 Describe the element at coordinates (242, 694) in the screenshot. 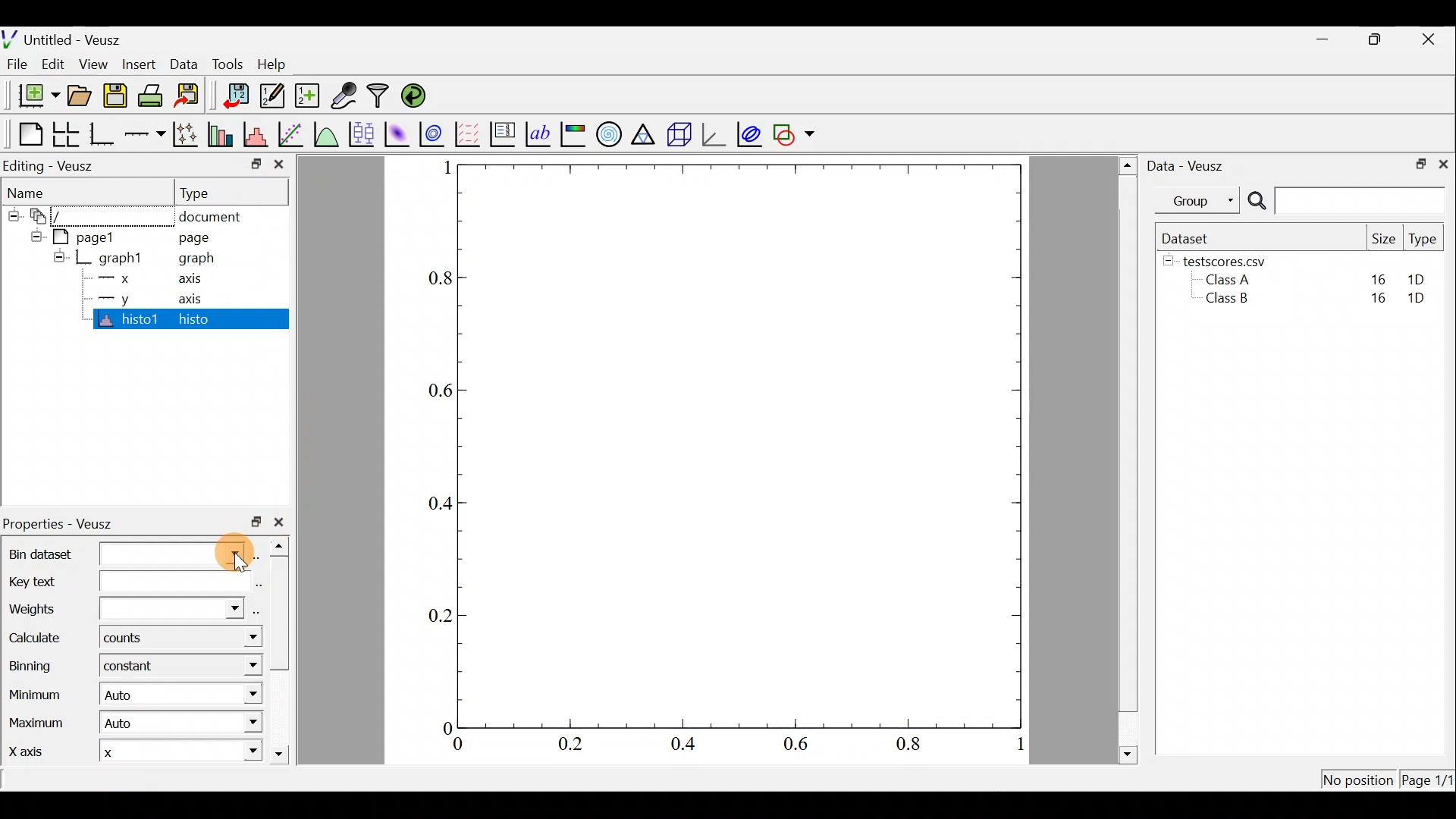

I see `Minimum dropdown` at that location.